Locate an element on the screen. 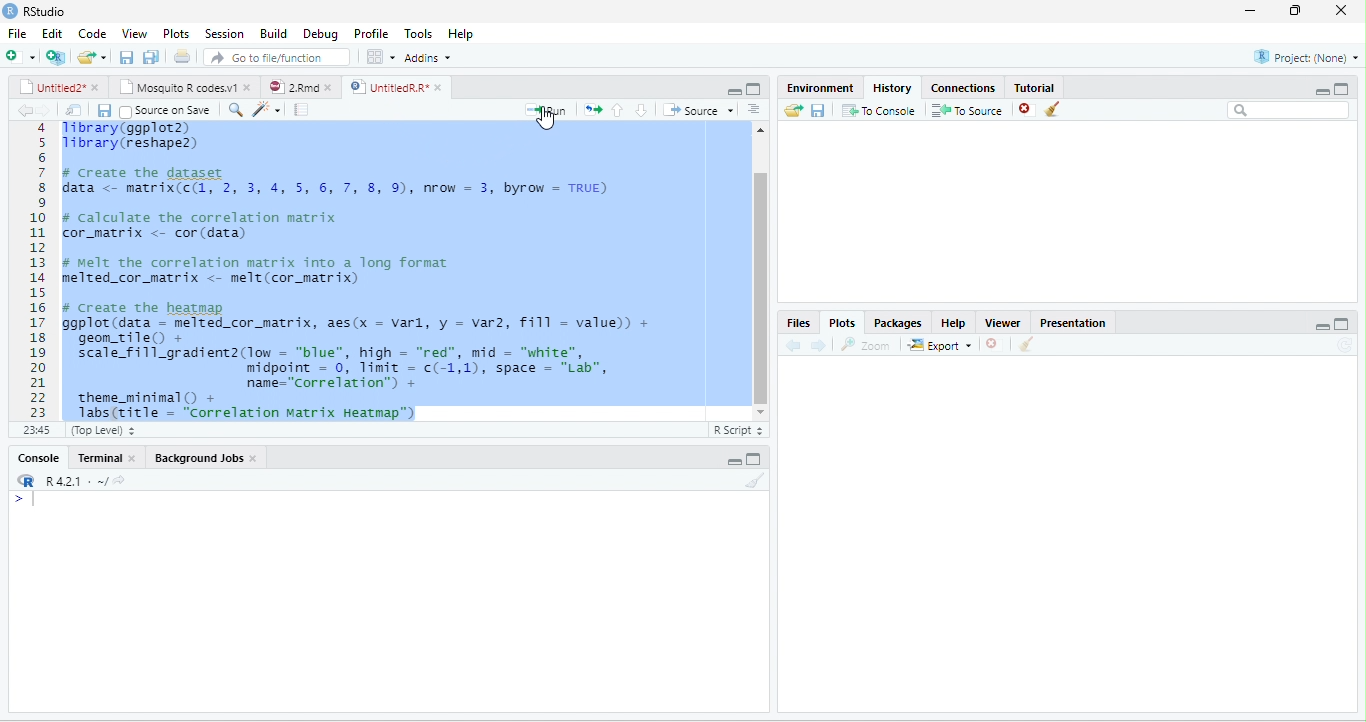  session is located at coordinates (224, 33).